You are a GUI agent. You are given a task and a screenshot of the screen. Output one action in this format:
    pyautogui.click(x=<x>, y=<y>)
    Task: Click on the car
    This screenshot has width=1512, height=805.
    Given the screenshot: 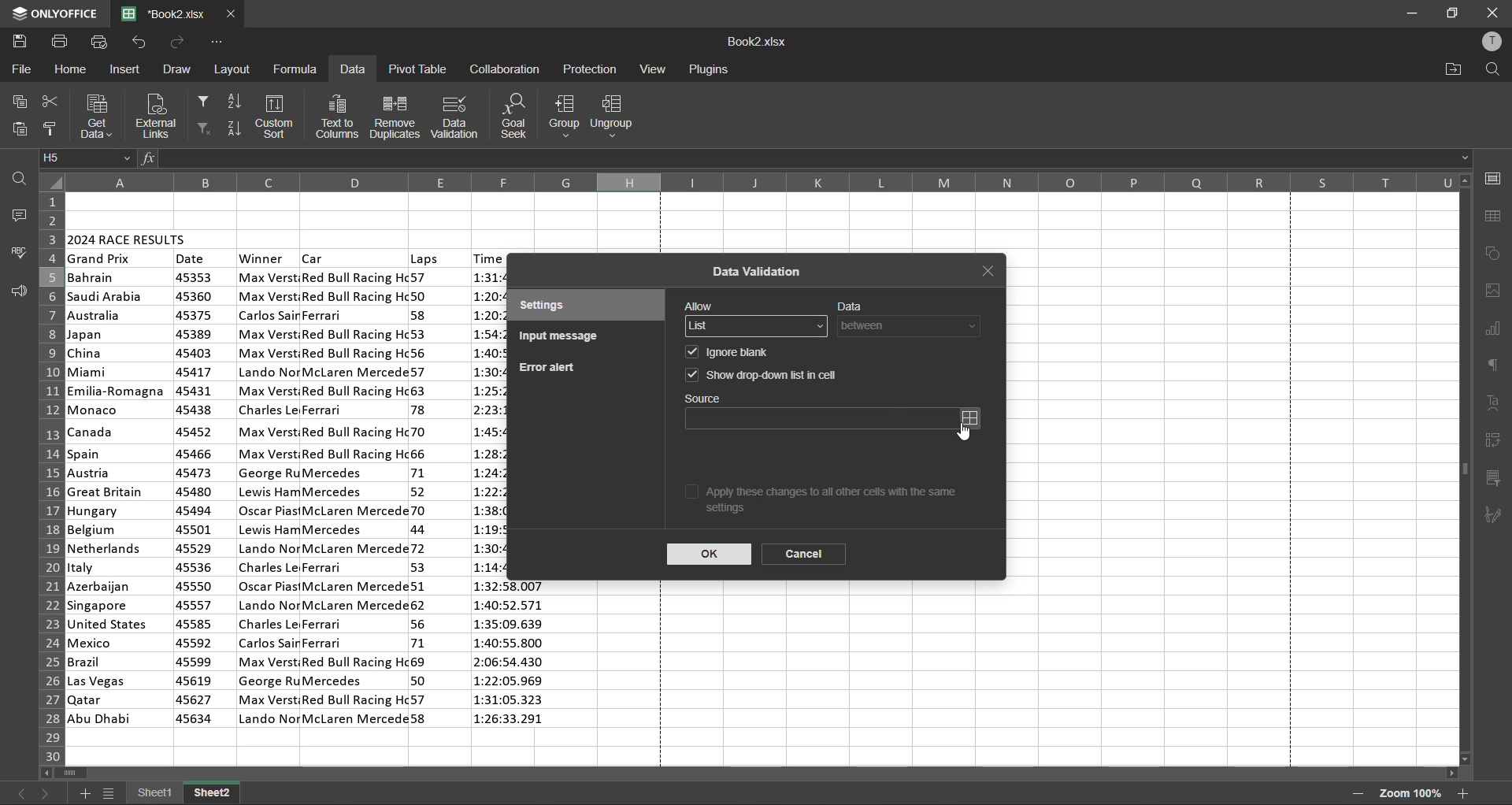 What is the action you would take?
    pyautogui.click(x=315, y=257)
    